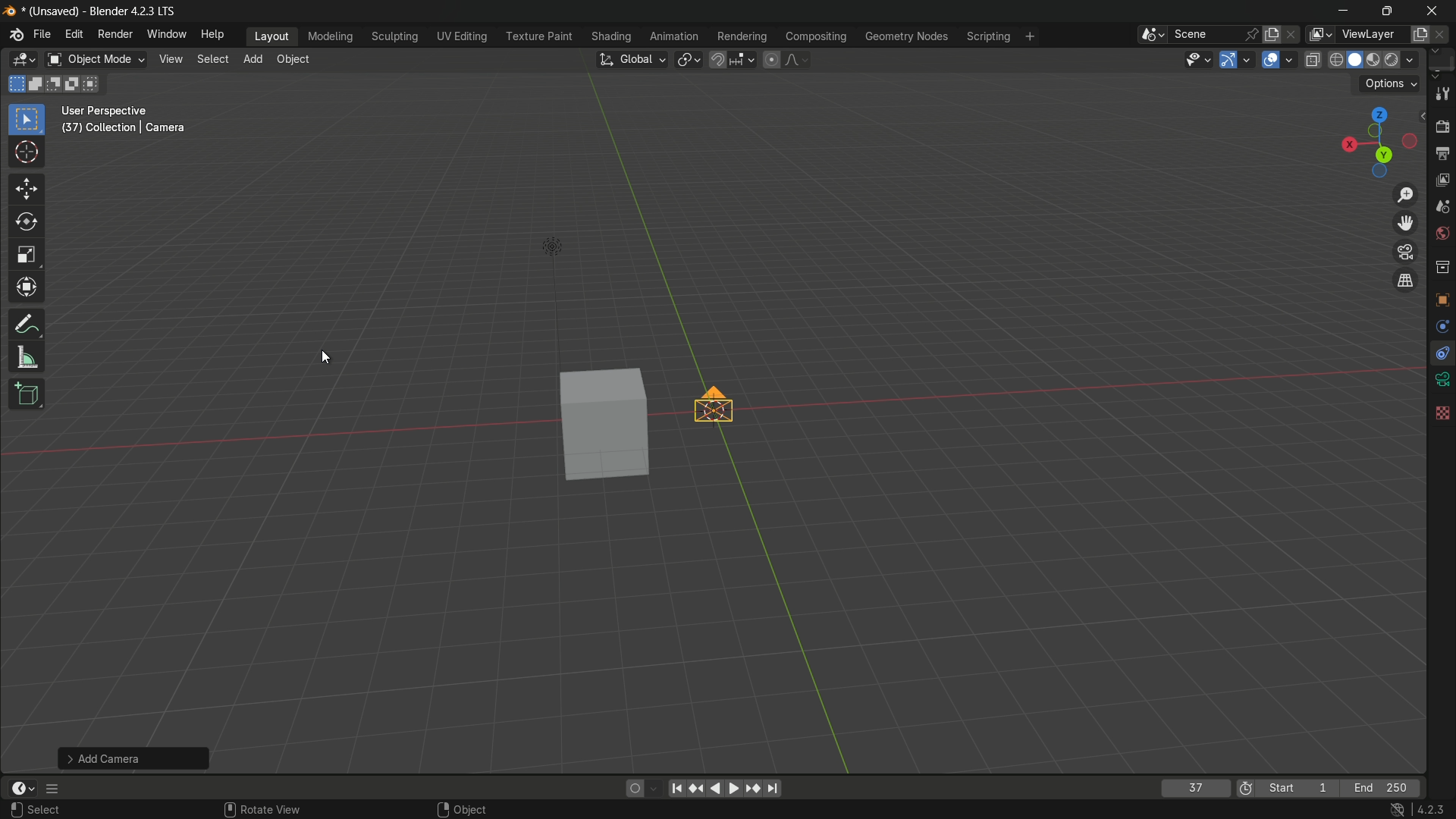 The width and height of the screenshot is (1456, 819). What do you see at coordinates (1442, 381) in the screenshot?
I see `video` at bounding box center [1442, 381].